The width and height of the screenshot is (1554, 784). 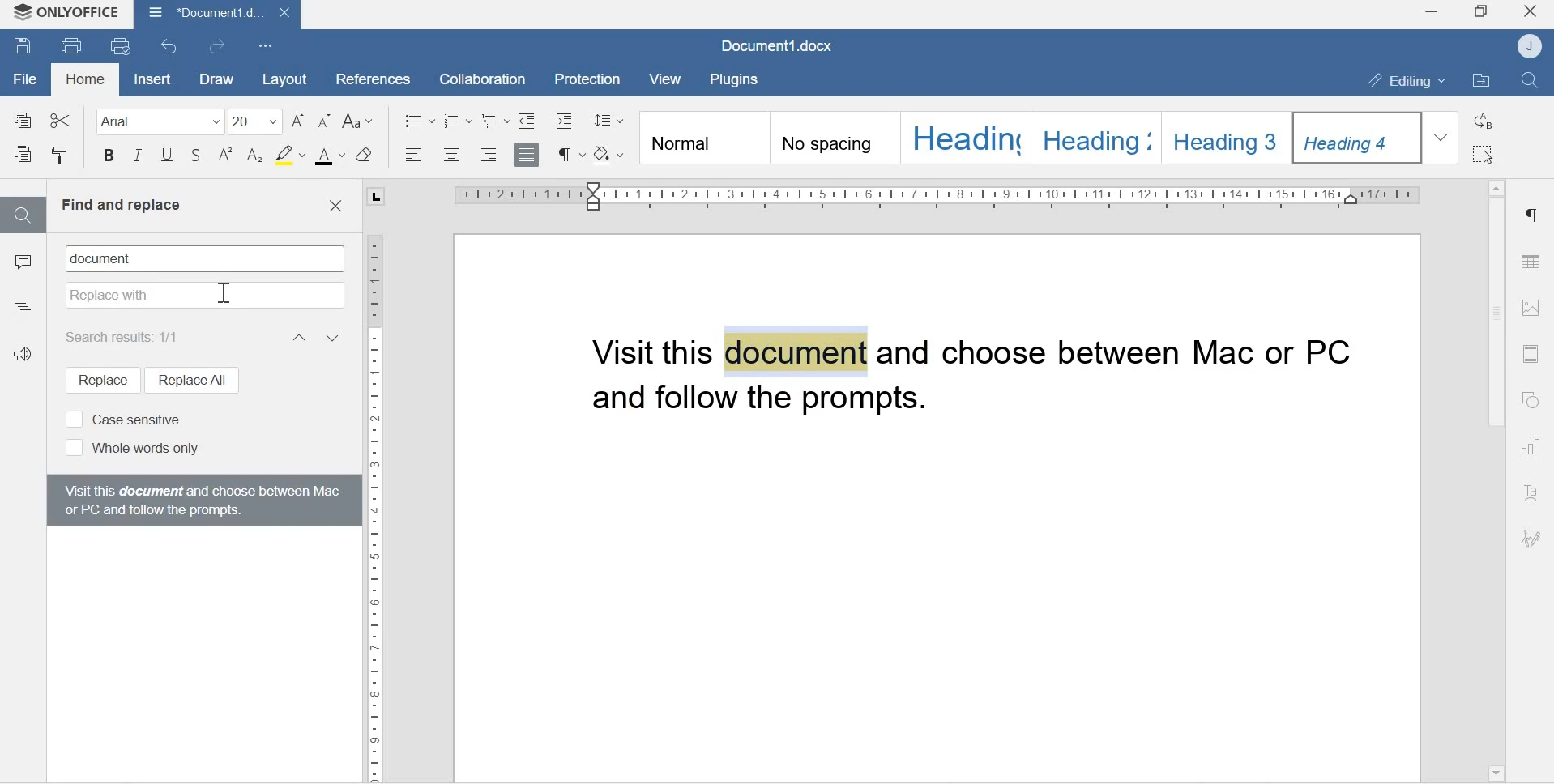 What do you see at coordinates (166, 159) in the screenshot?
I see `Underline` at bounding box center [166, 159].